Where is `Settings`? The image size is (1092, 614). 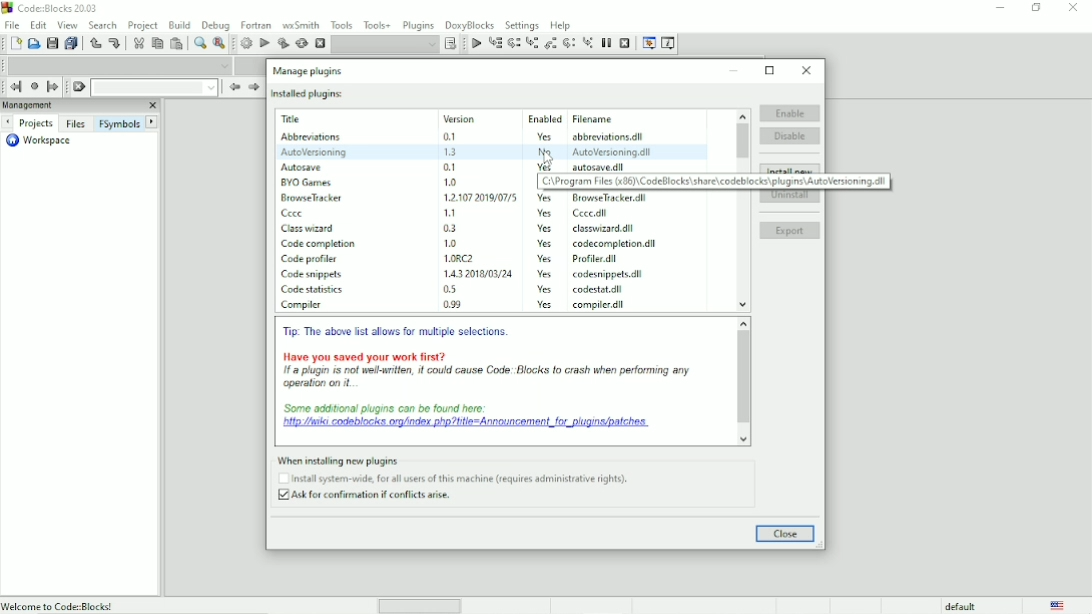 Settings is located at coordinates (521, 25).